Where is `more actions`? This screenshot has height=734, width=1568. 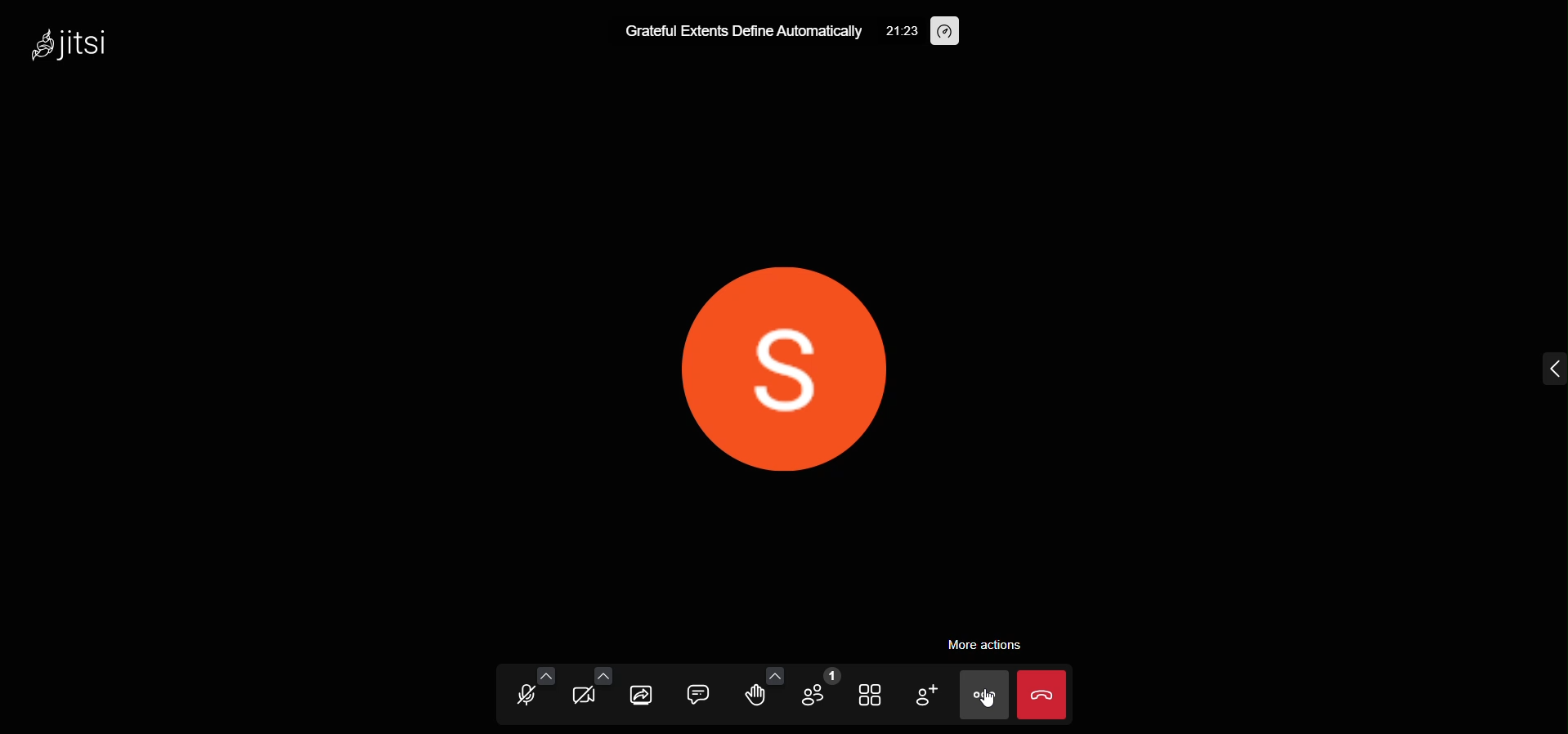 more actions is located at coordinates (983, 644).